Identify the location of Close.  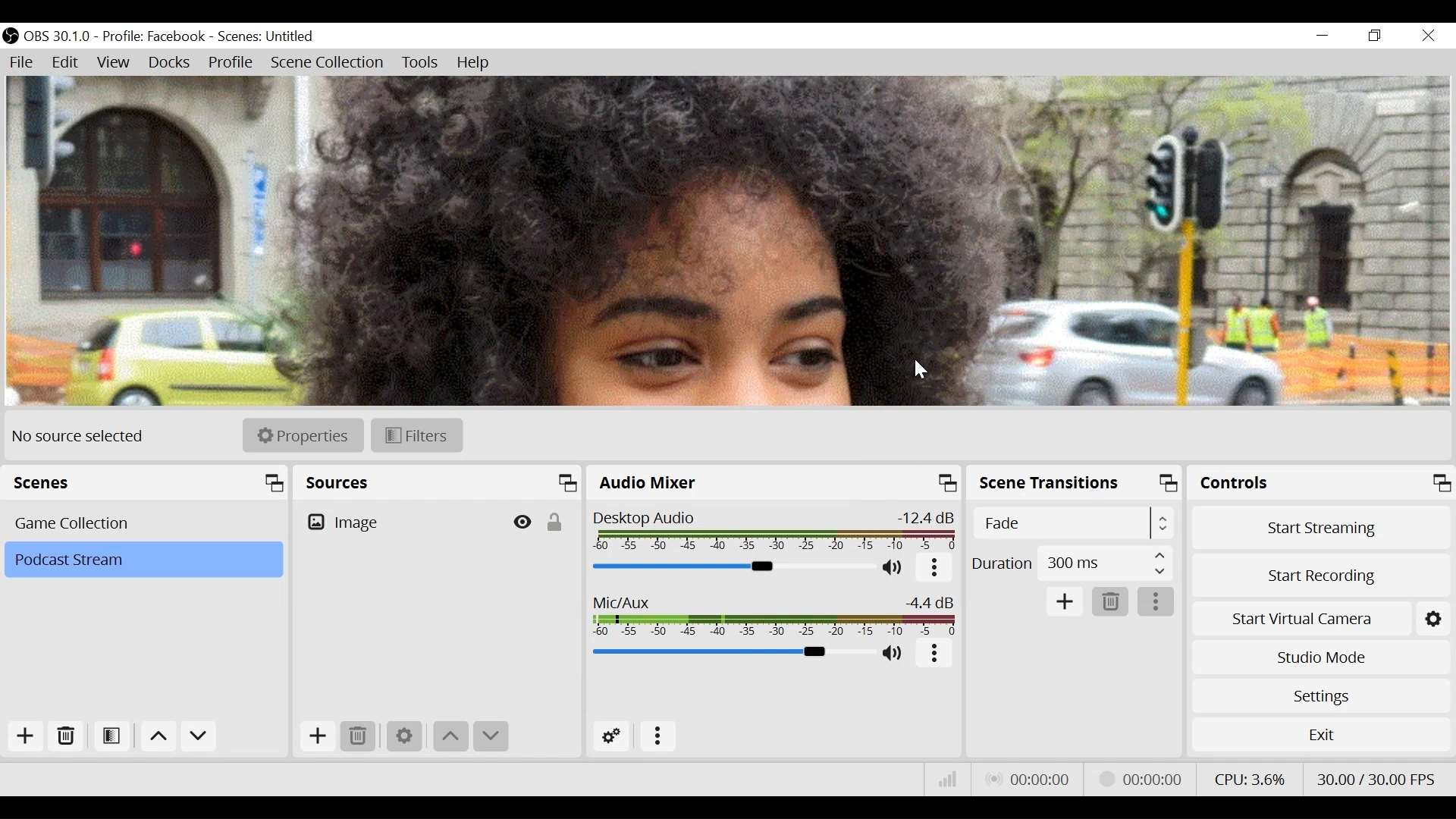
(1431, 35).